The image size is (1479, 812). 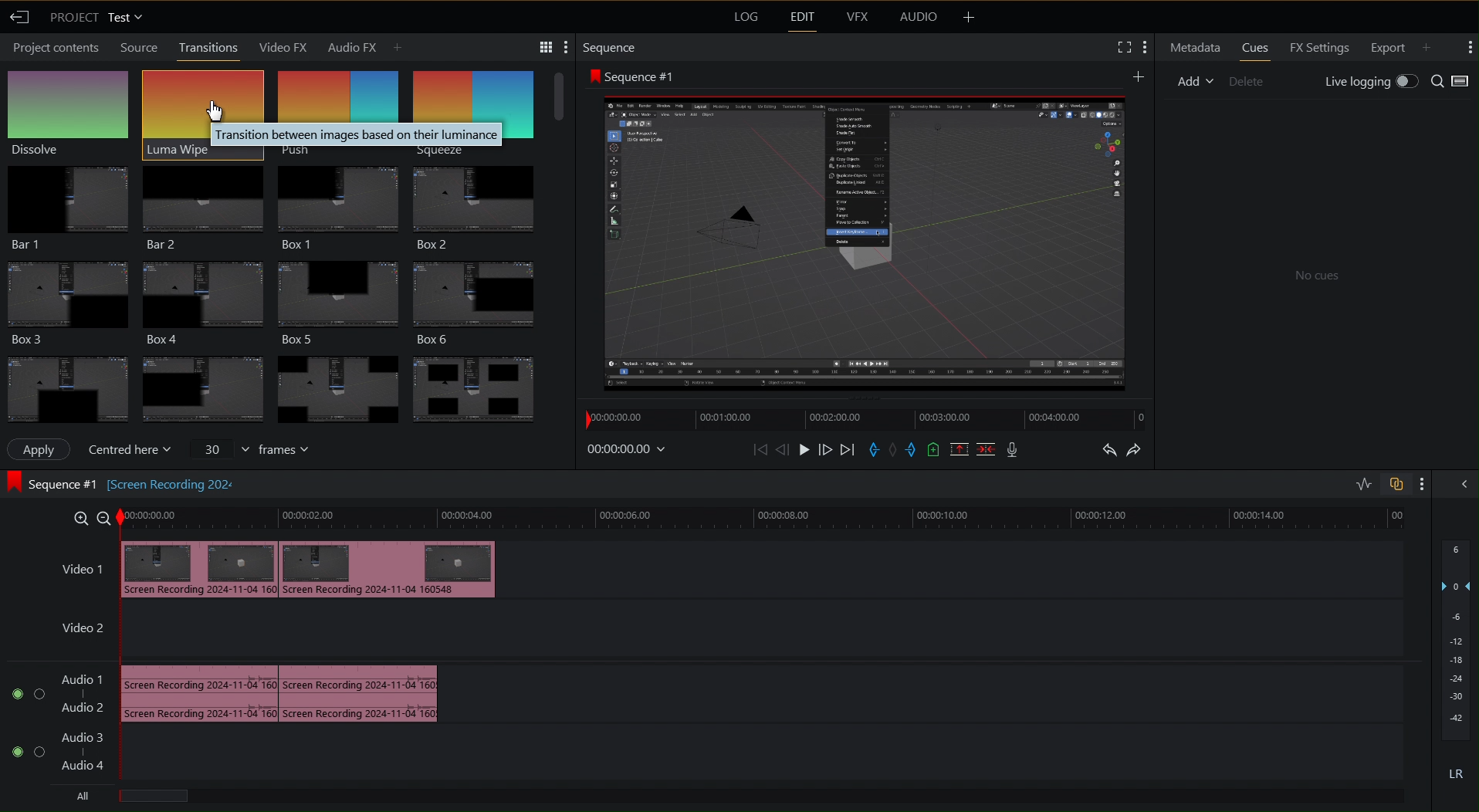 I want to click on Play, so click(x=805, y=449).